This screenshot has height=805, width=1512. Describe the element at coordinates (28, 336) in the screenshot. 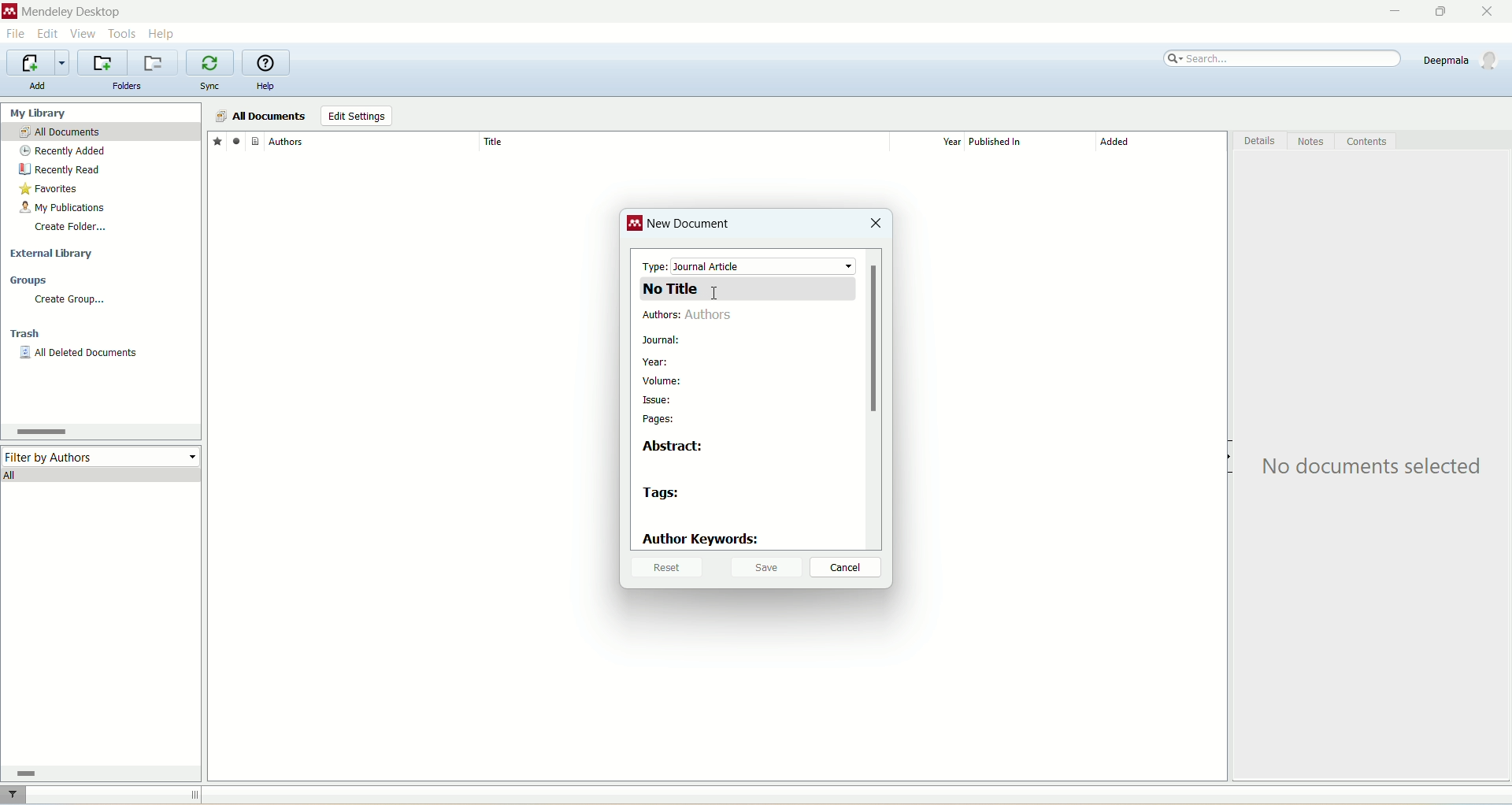

I see `trash` at that location.